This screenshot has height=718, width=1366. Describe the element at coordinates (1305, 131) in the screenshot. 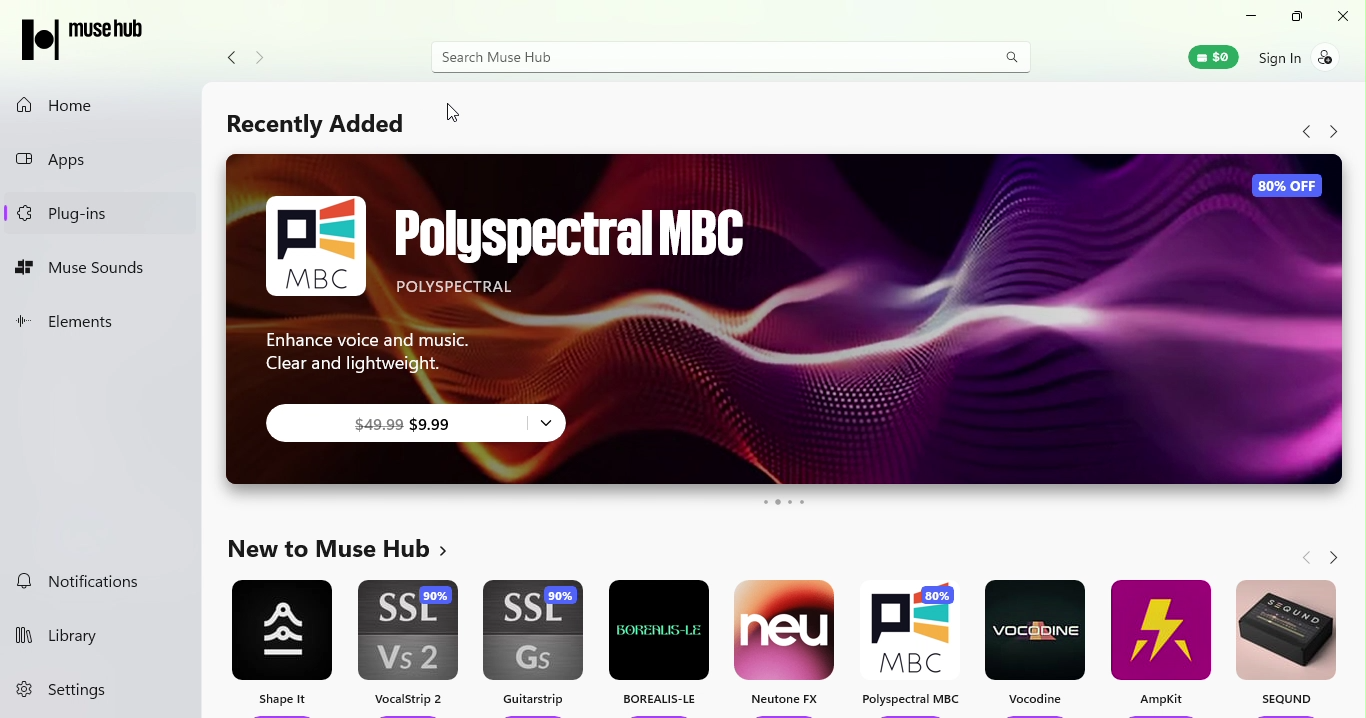

I see `Navigate back` at that location.